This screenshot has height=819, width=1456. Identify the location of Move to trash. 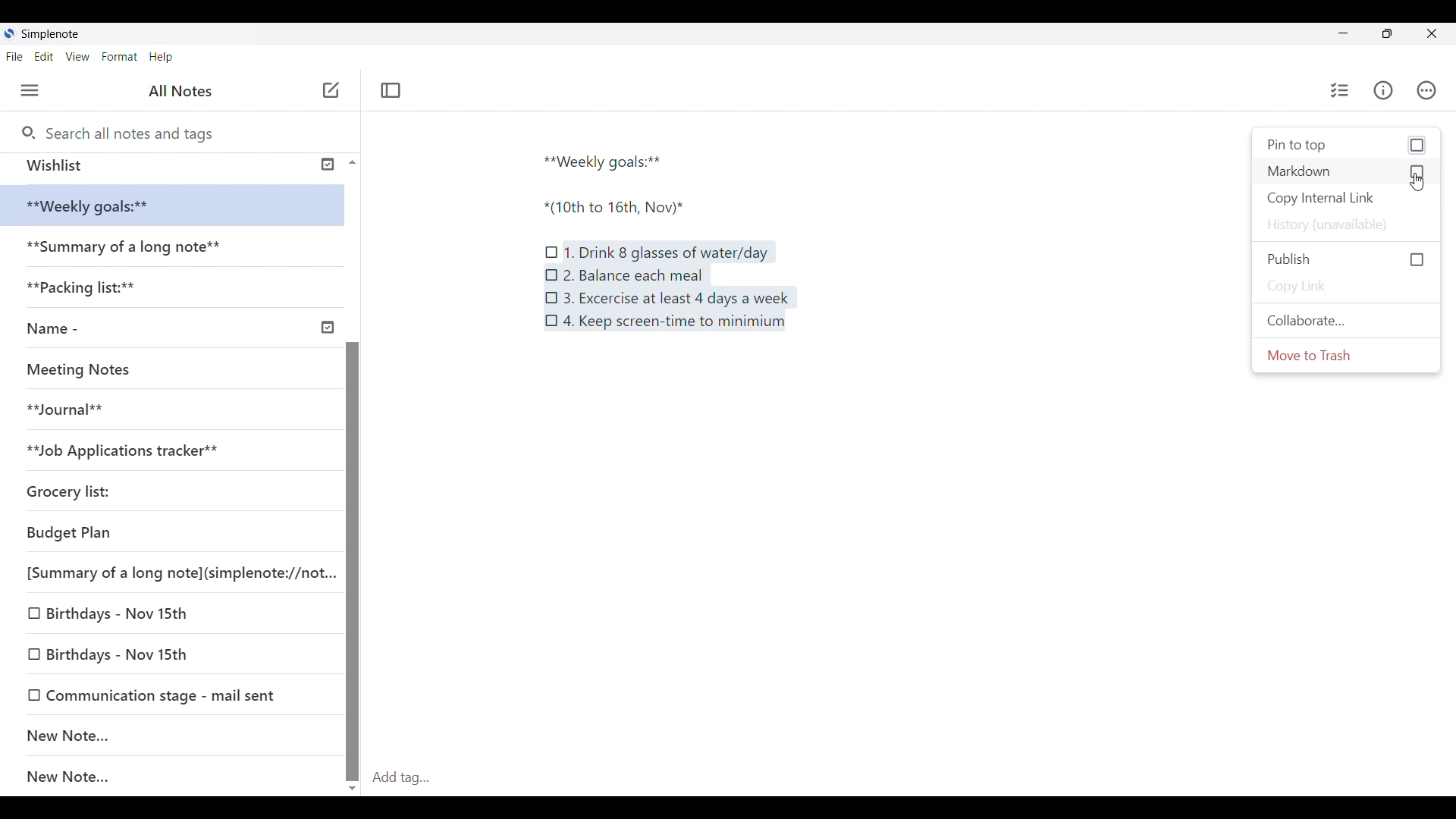
(1318, 359).